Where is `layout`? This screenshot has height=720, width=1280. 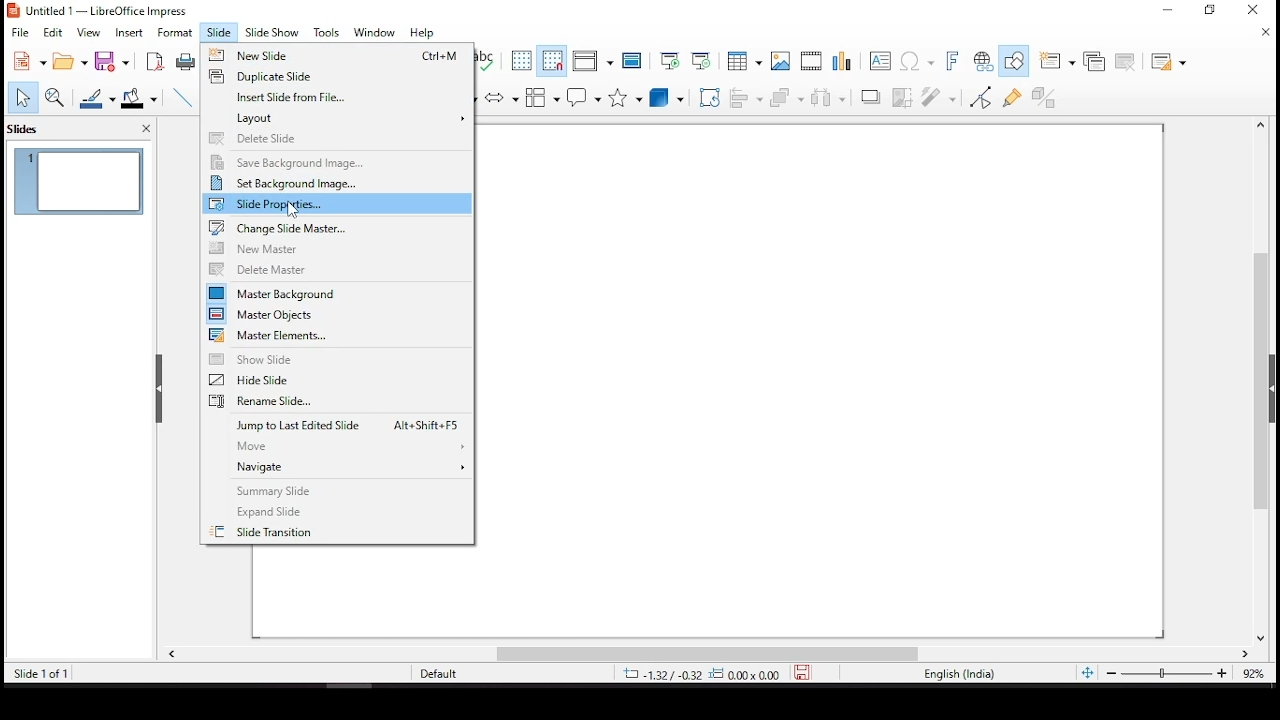 layout is located at coordinates (339, 117).